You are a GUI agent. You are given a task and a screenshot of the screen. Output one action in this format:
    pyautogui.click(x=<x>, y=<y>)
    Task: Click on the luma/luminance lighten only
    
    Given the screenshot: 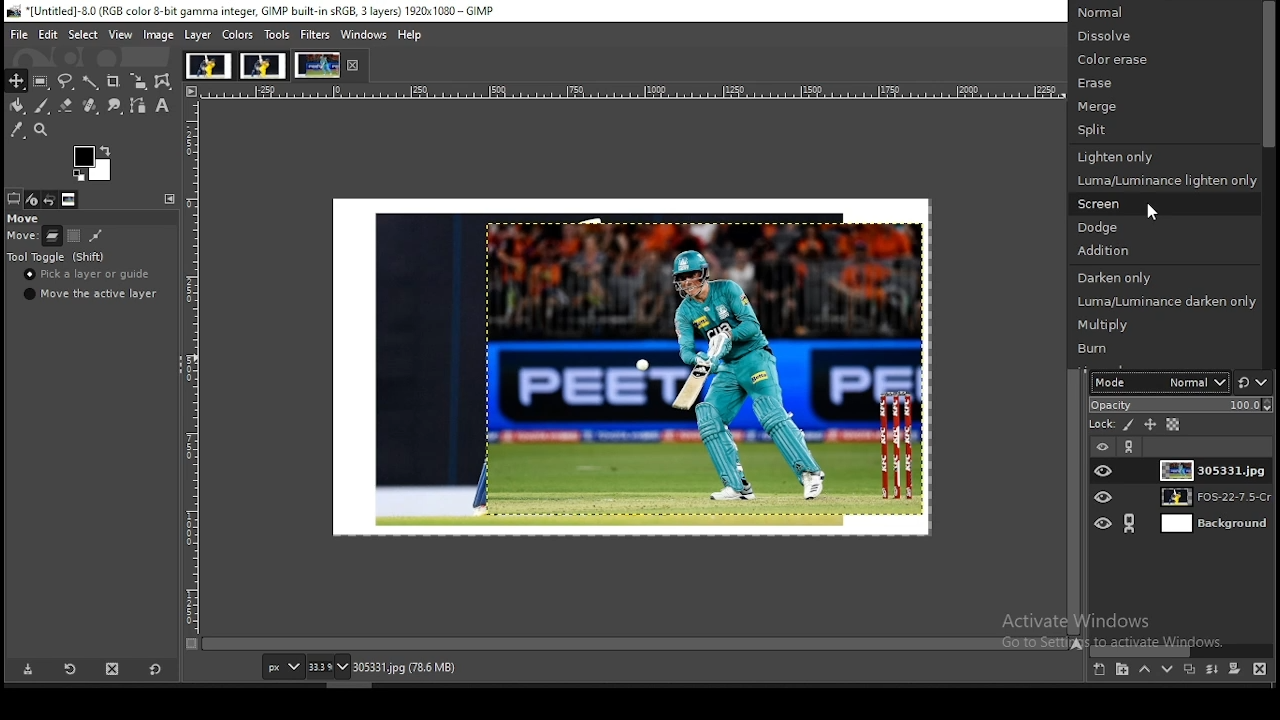 What is the action you would take?
    pyautogui.click(x=1165, y=180)
    